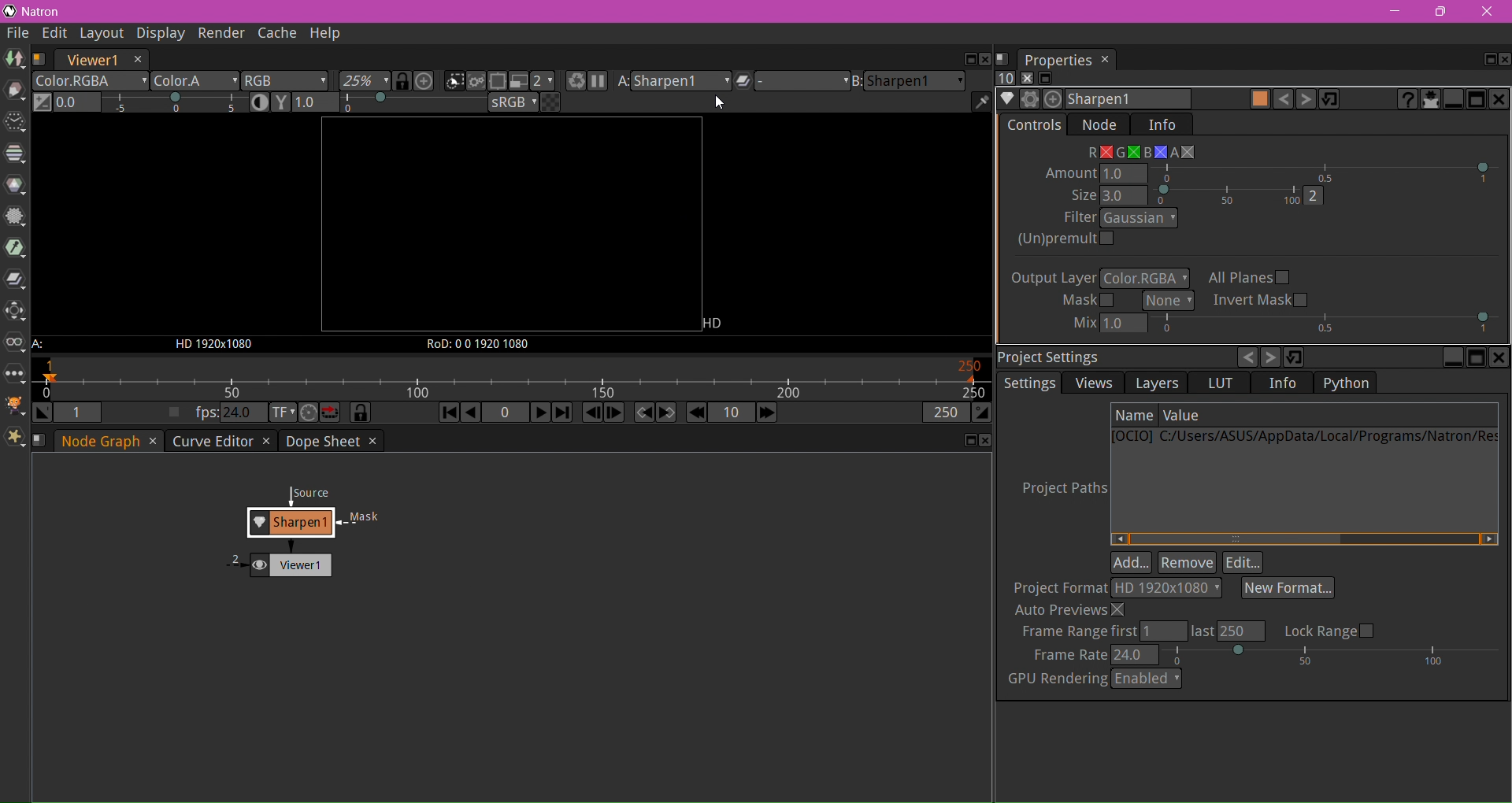  What do you see at coordinates (14, 124) in the screenshot?
I see `Time` at bounding box center [14, 124].